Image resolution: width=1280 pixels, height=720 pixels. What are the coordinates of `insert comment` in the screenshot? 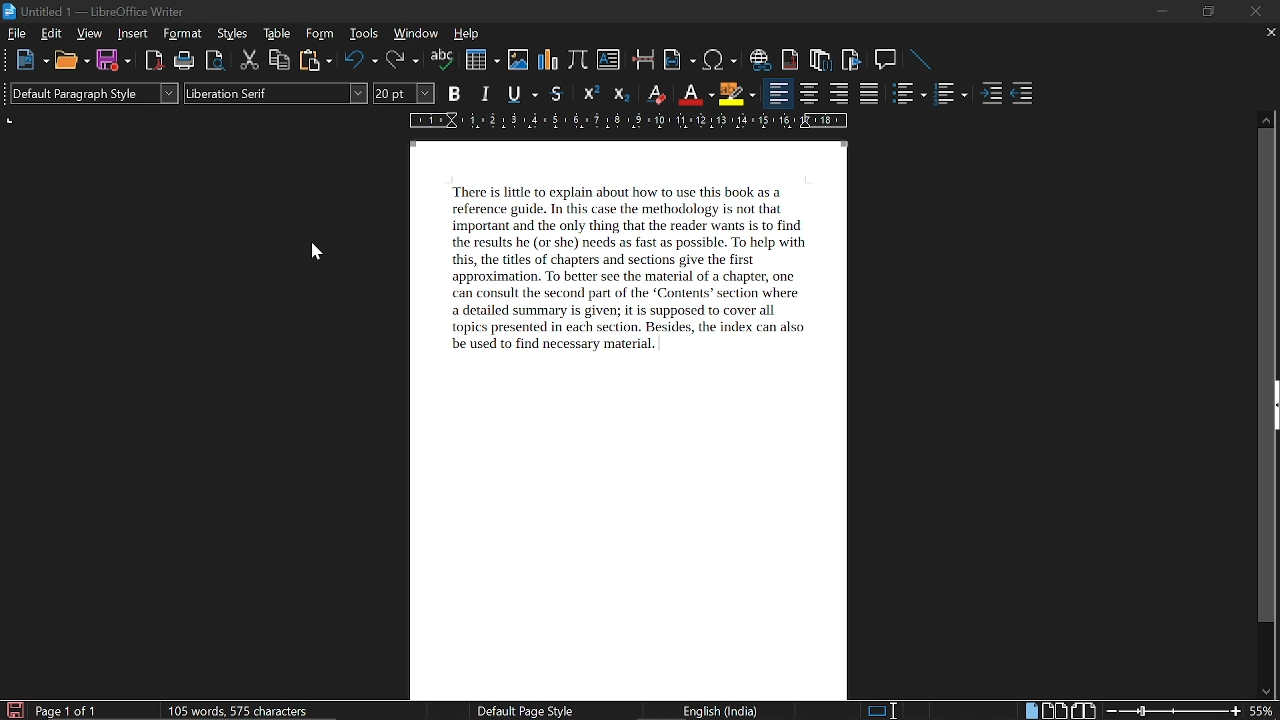 It's located at (887, 60).